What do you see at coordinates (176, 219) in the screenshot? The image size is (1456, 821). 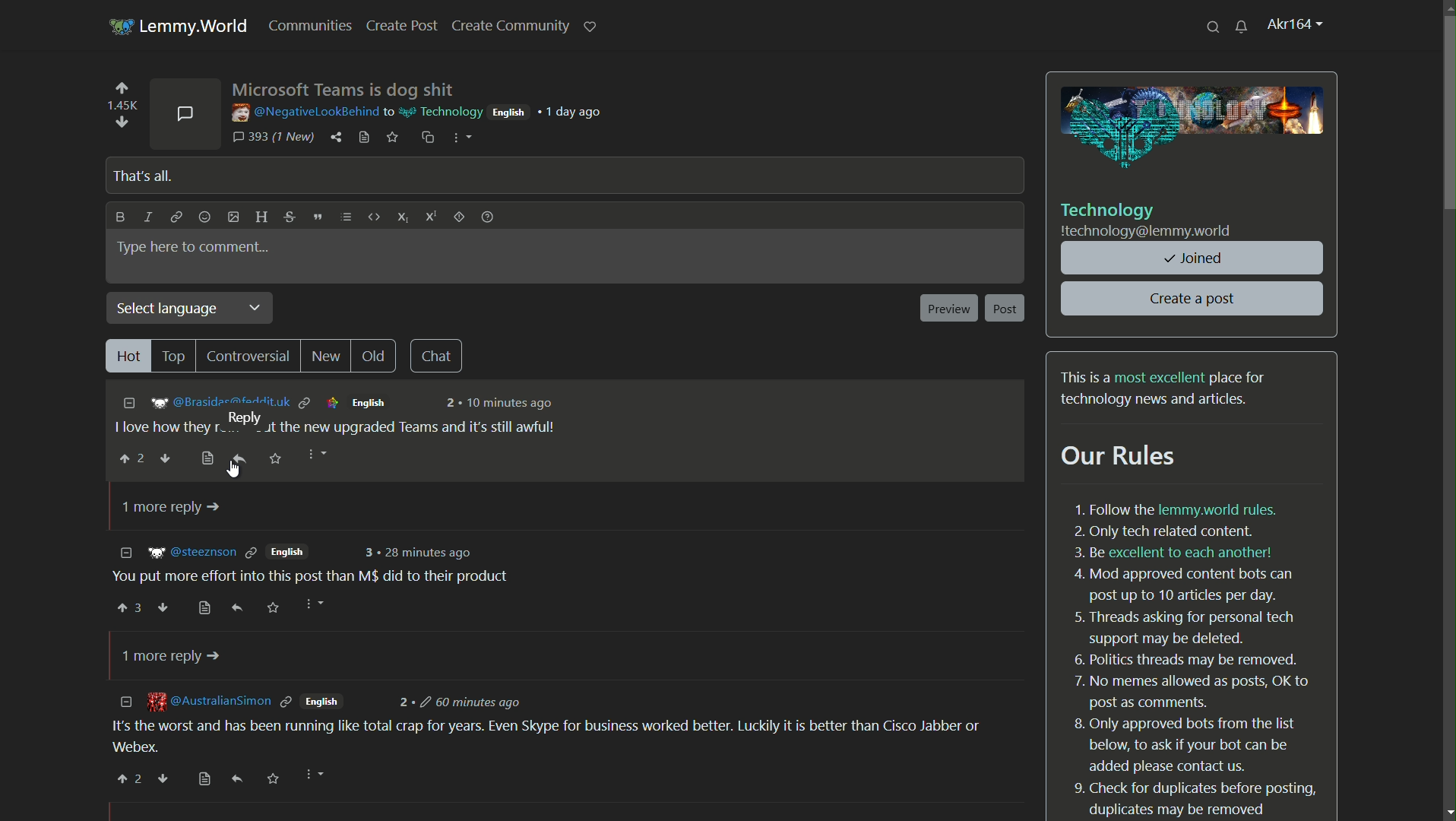 I see `link` at bounding box center [176, 219].